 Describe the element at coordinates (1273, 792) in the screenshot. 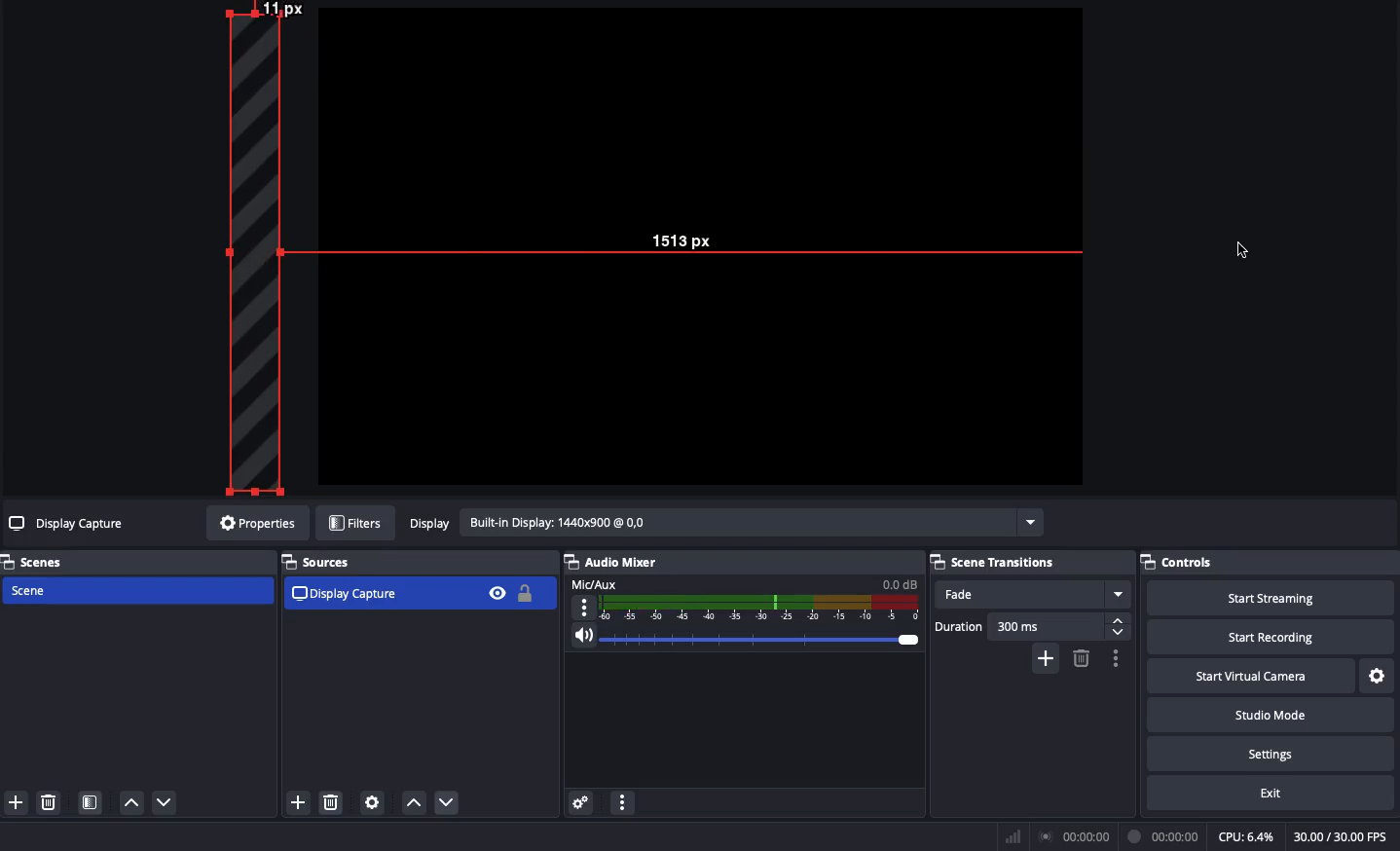

I see `Exit` at that location.